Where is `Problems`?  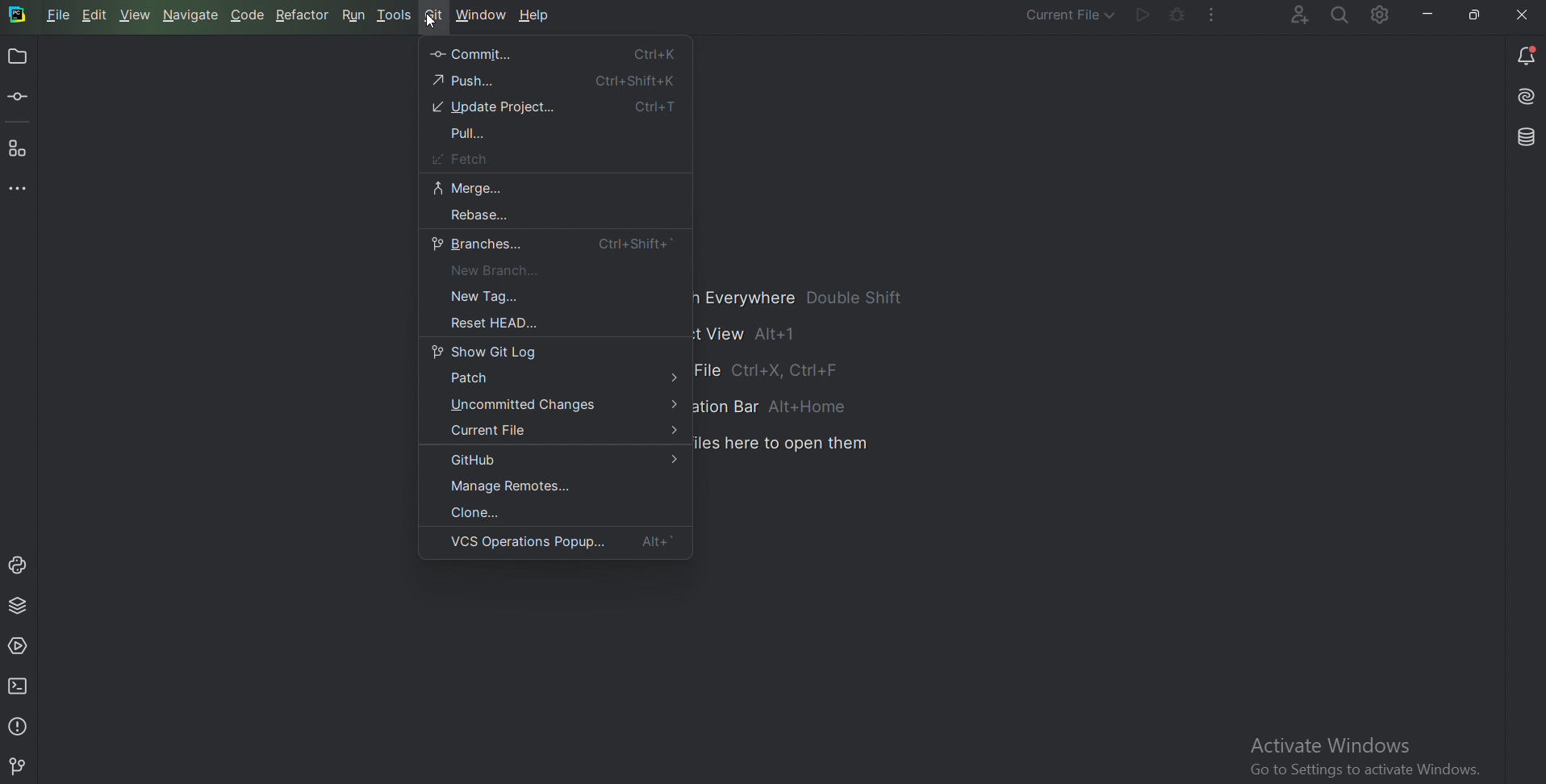
Problems is located at coordinates (19, 724).